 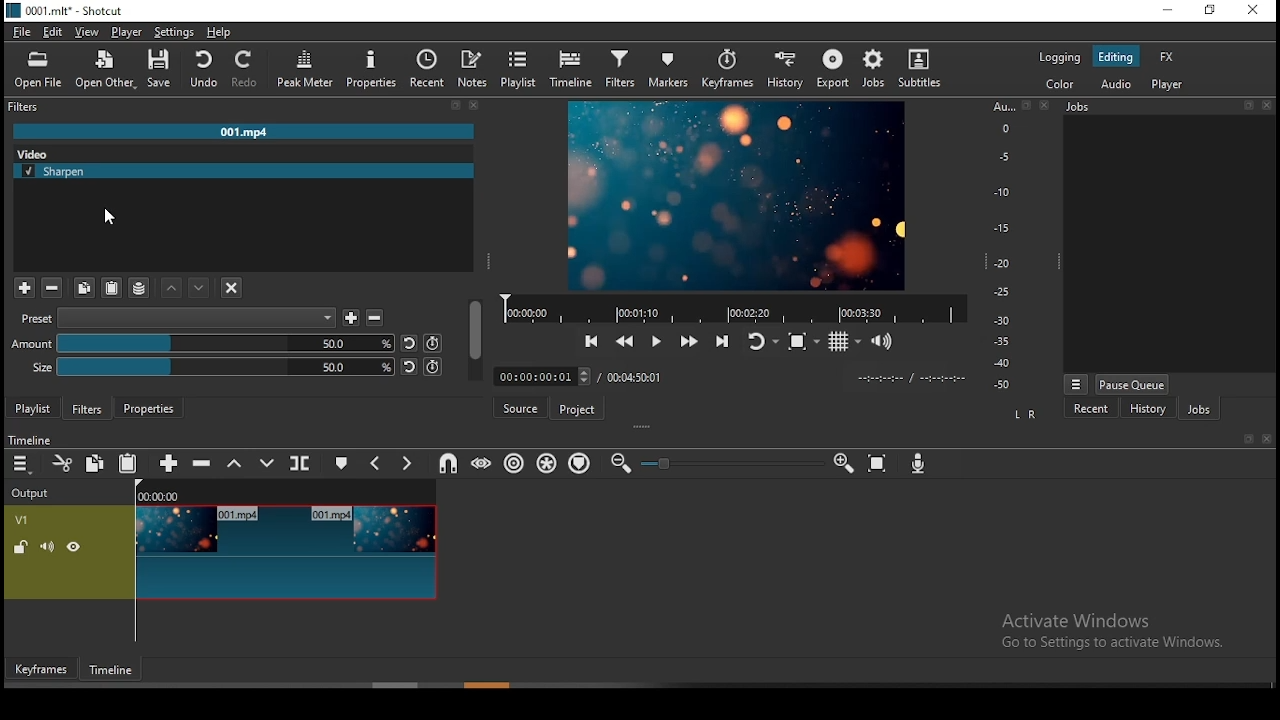 What do you see at coordinates (1211, 9) in the screenshot?
I see `restore` at bounding box center [1211, 9].